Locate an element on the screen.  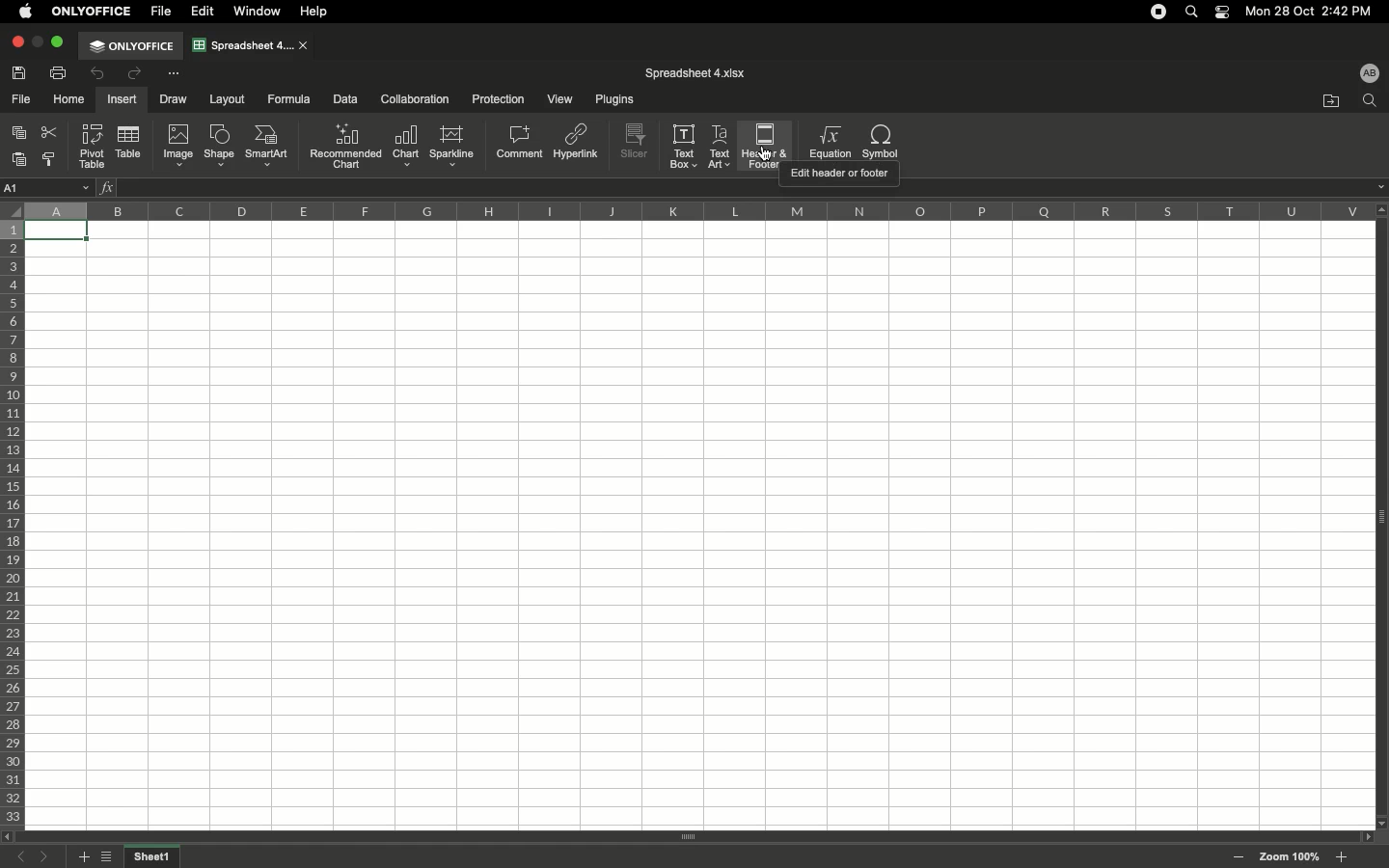
Equation is located at coordinates (831, 143).